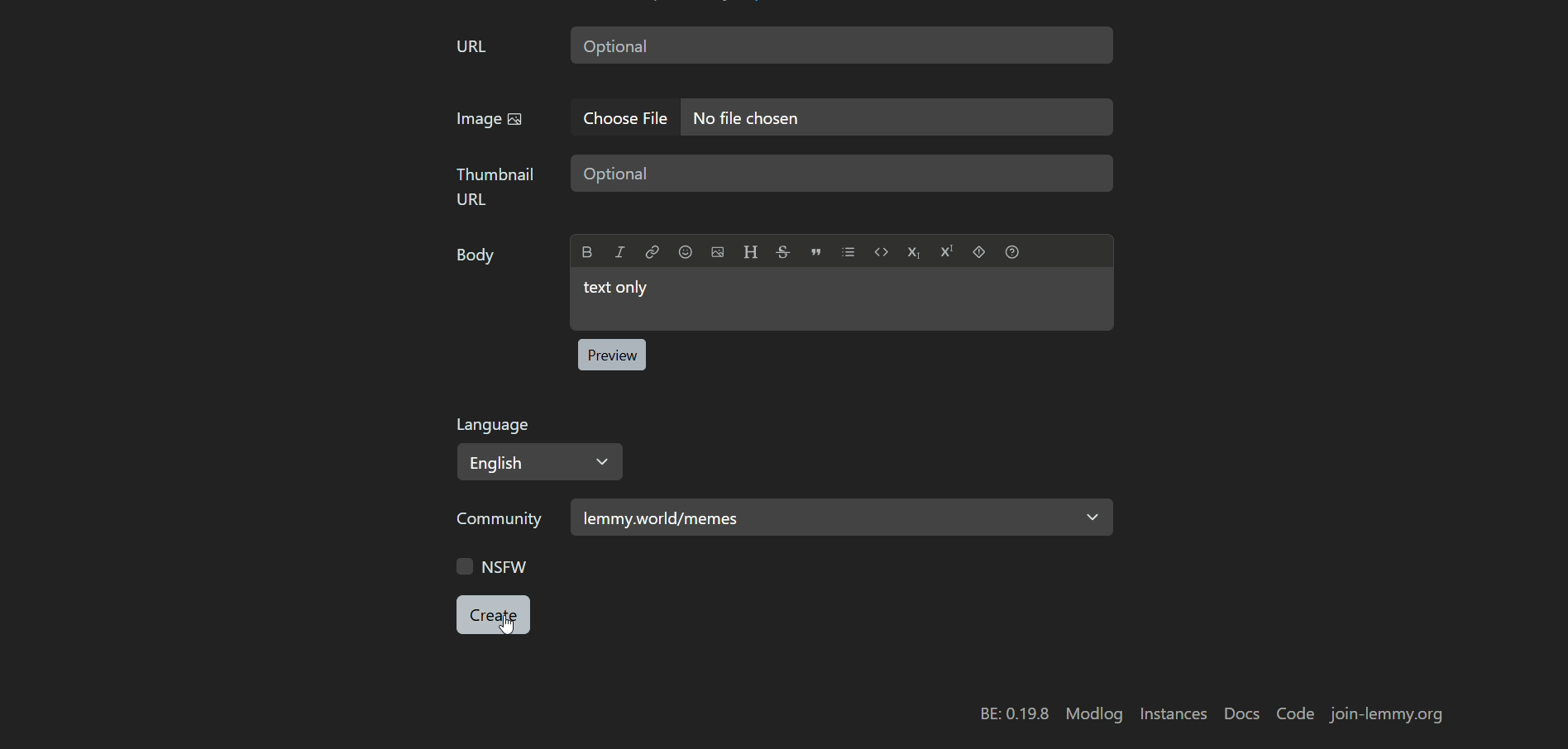 This screenshot has width=1568, height=749. Describe the element at coordinates (496, 186) in the screenshot. I see `thumbnail URL` at that location.